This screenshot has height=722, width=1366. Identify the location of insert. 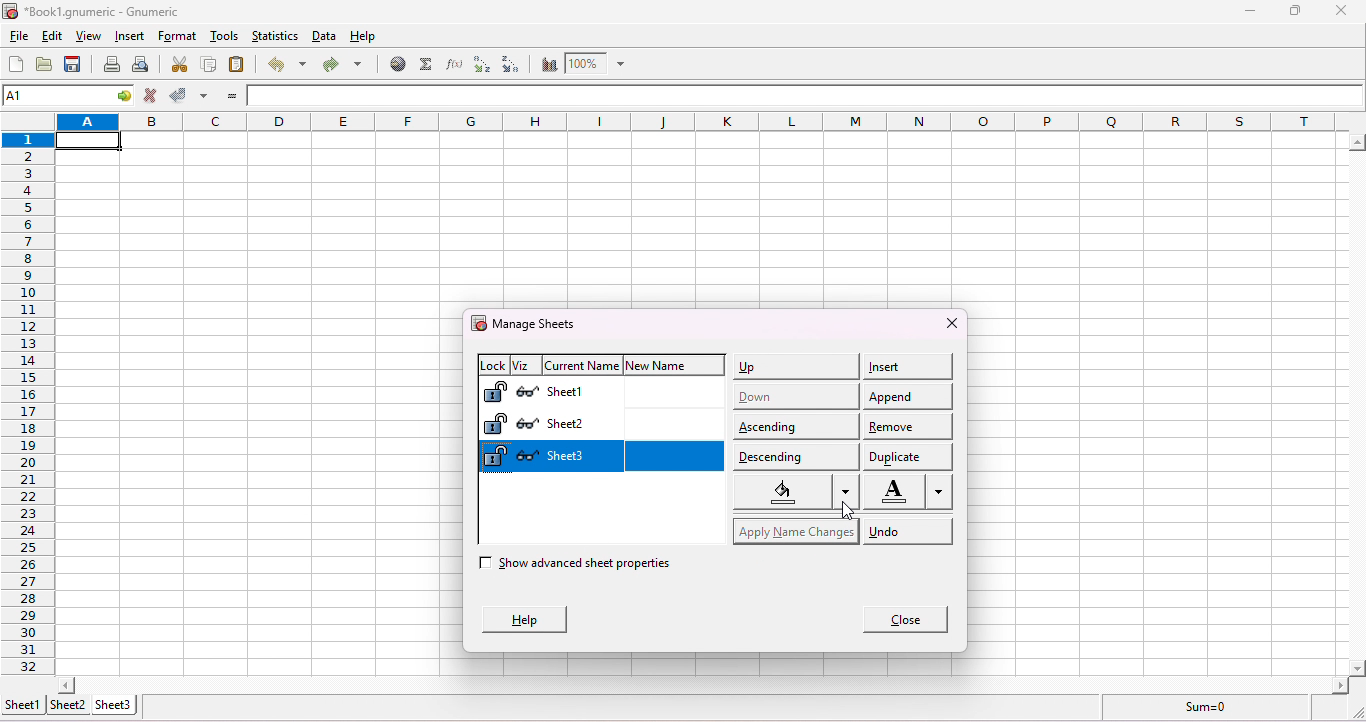
(132, 37).